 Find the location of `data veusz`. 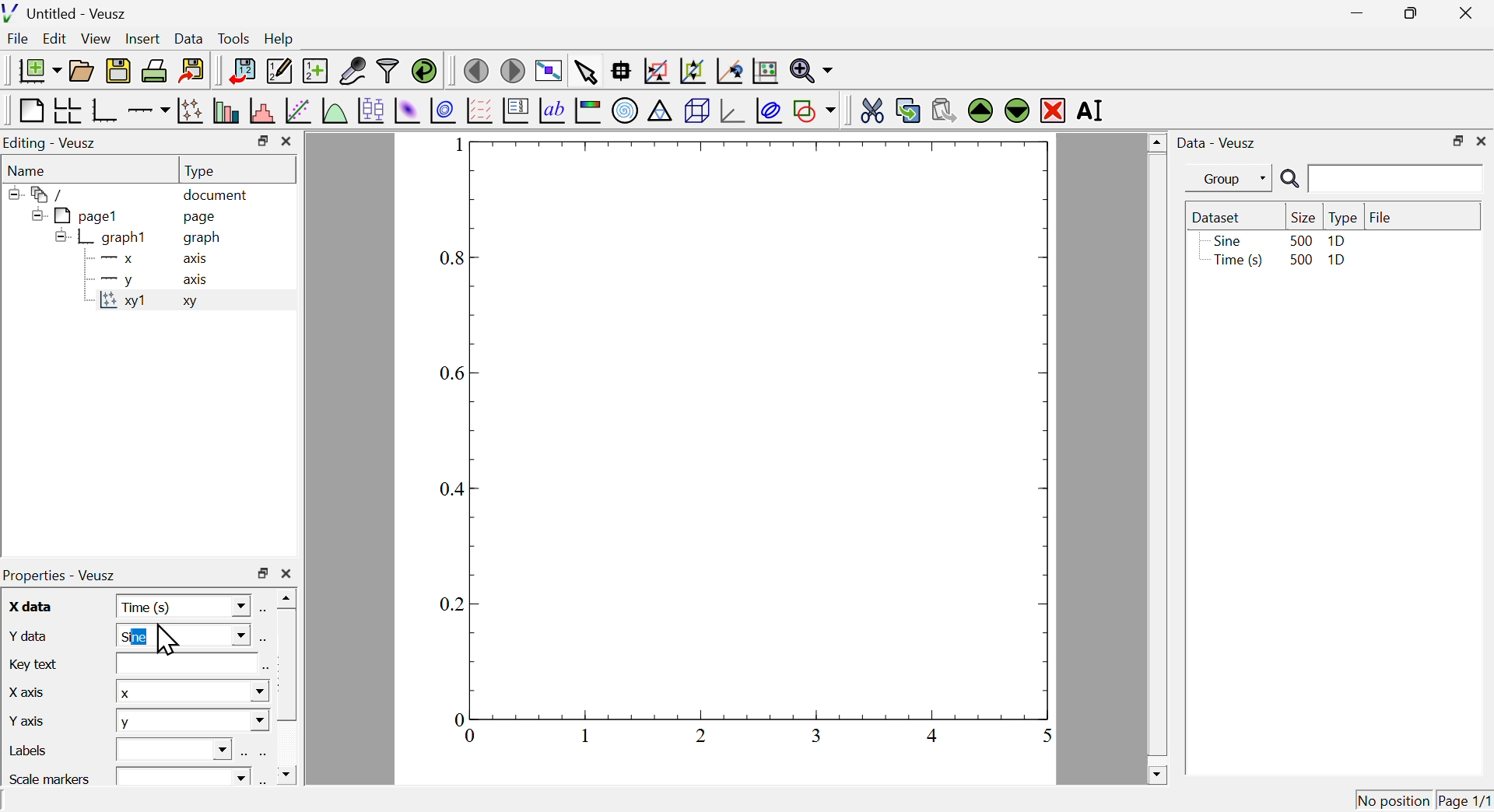

data veusz is located at coordinates (1217, 142).